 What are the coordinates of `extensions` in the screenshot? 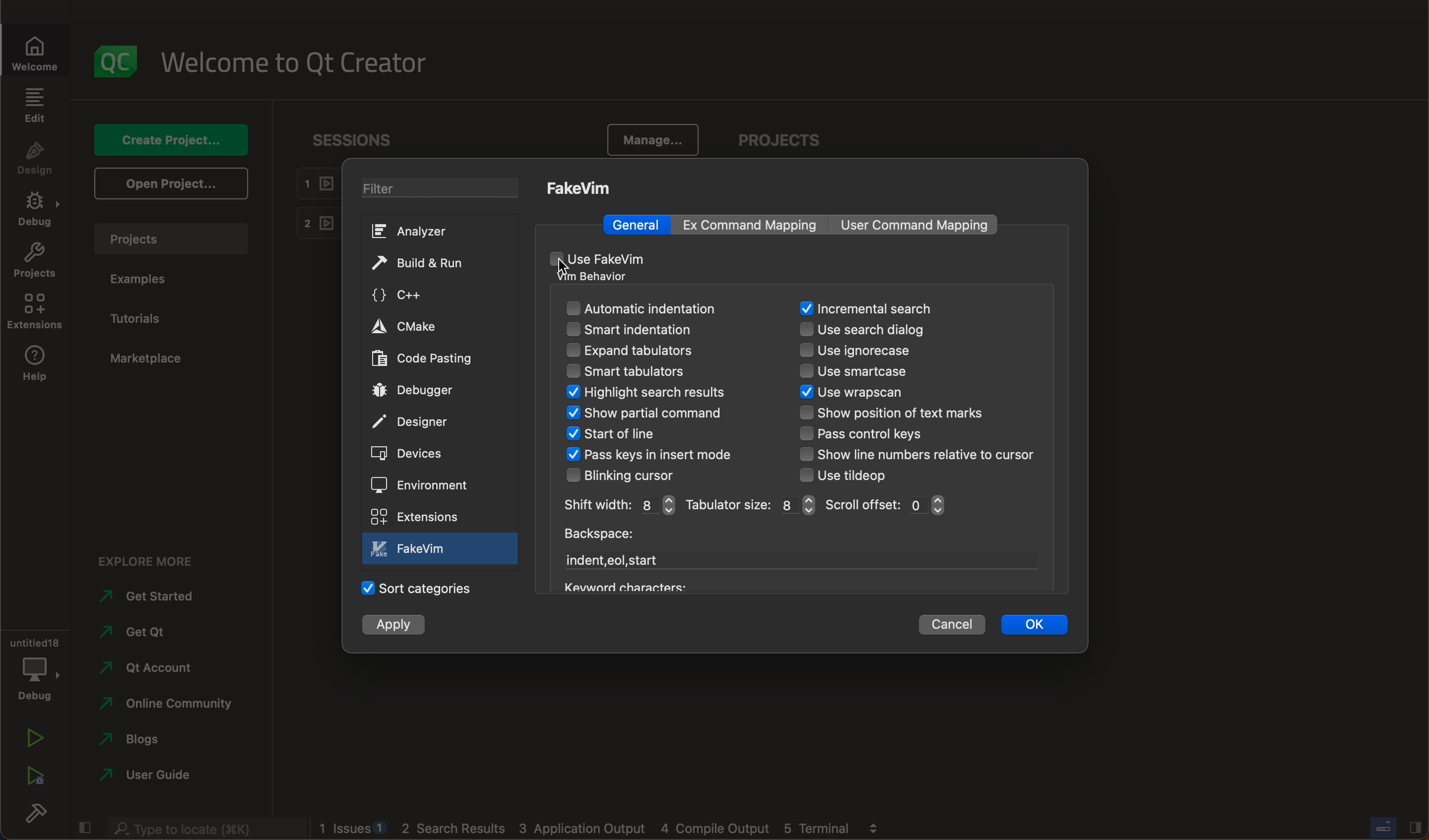 It's located at (415, 516).